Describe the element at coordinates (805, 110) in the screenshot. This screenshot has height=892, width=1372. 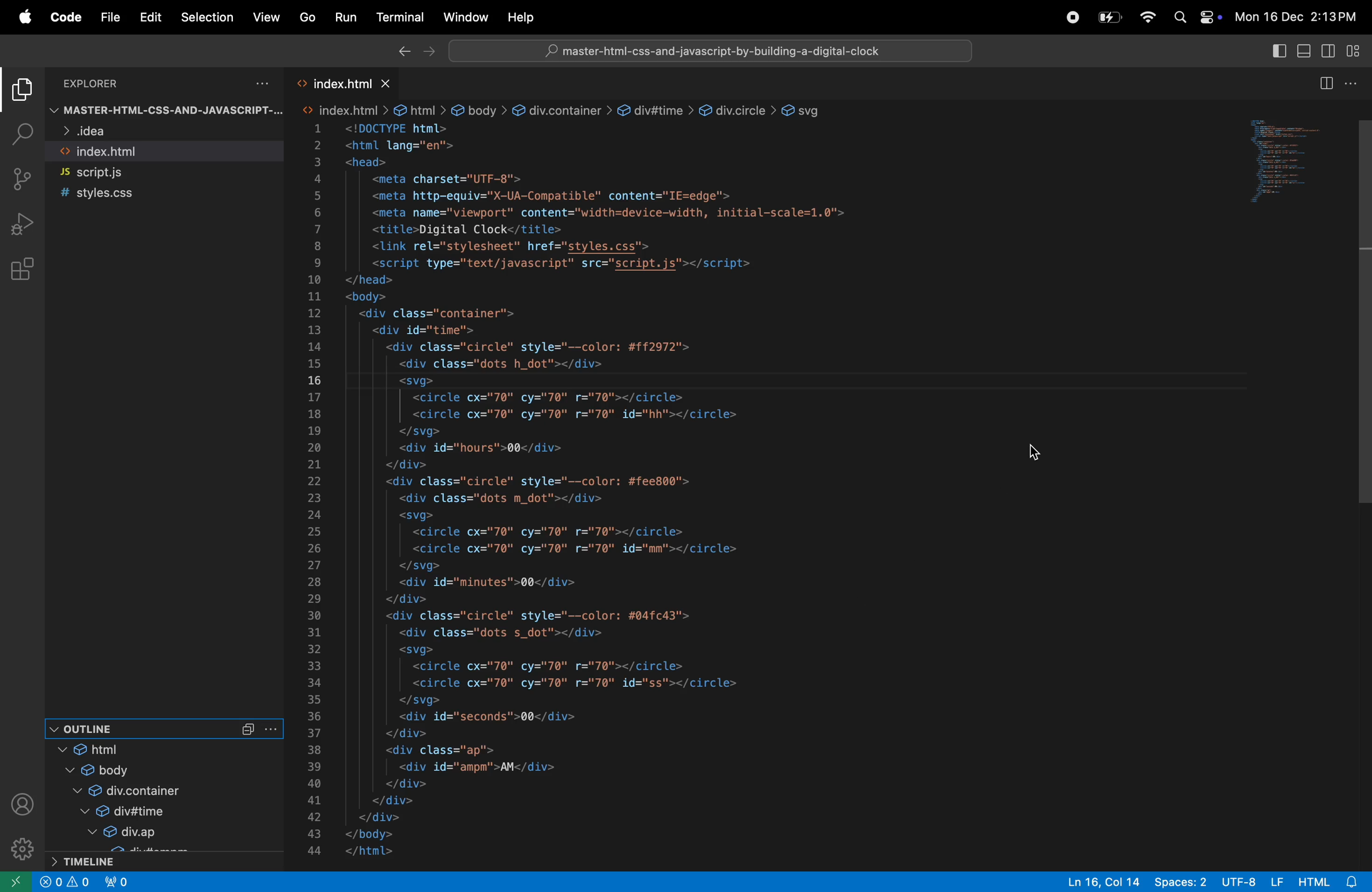
I see `svg` at that location.